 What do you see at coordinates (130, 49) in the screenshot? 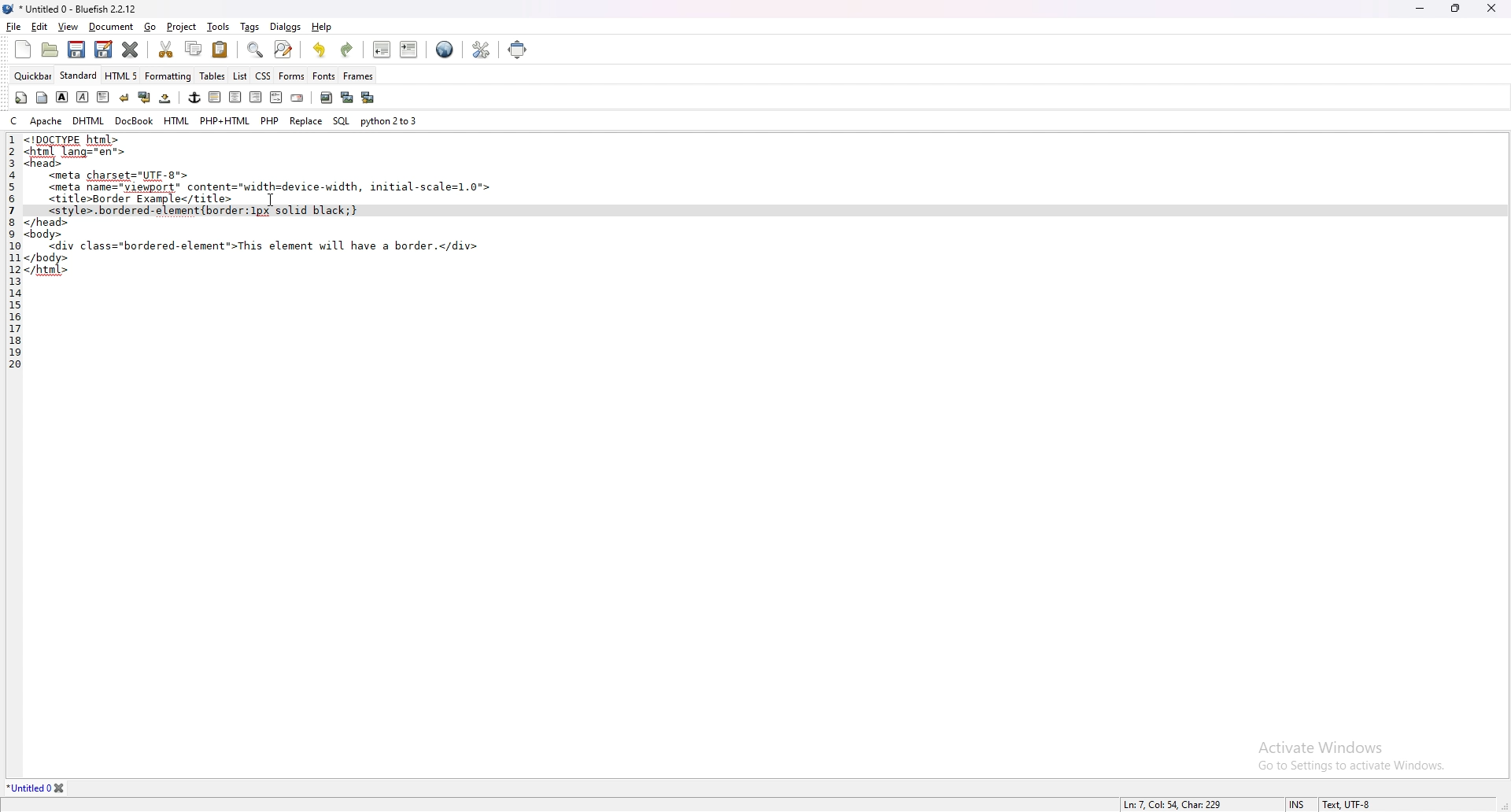
I see `close current file` at bounding box center [130, 49].